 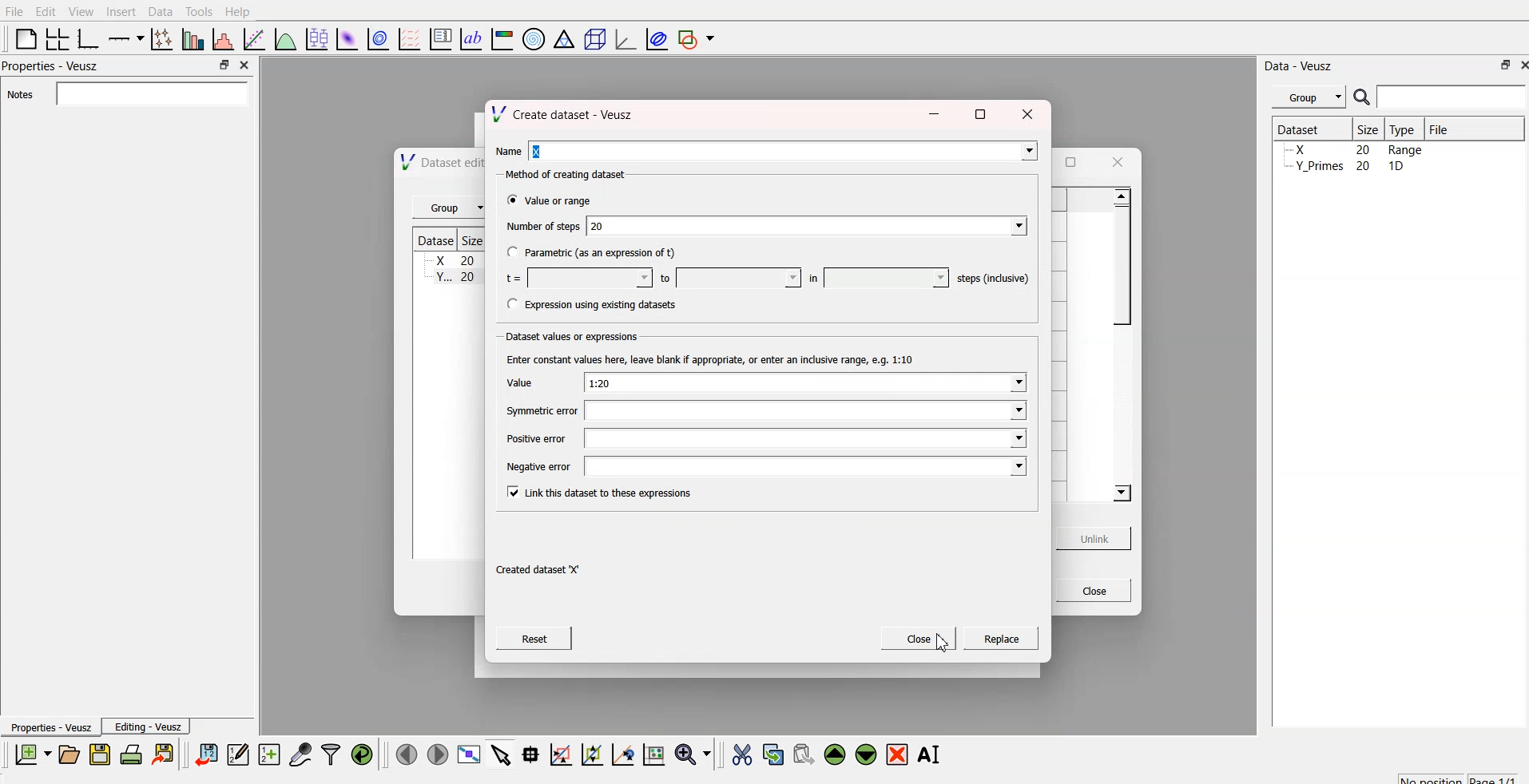 What do you see at coordinates (220, 65) in the screenshot?
I see `maximize` at bounding box center [220, 65].